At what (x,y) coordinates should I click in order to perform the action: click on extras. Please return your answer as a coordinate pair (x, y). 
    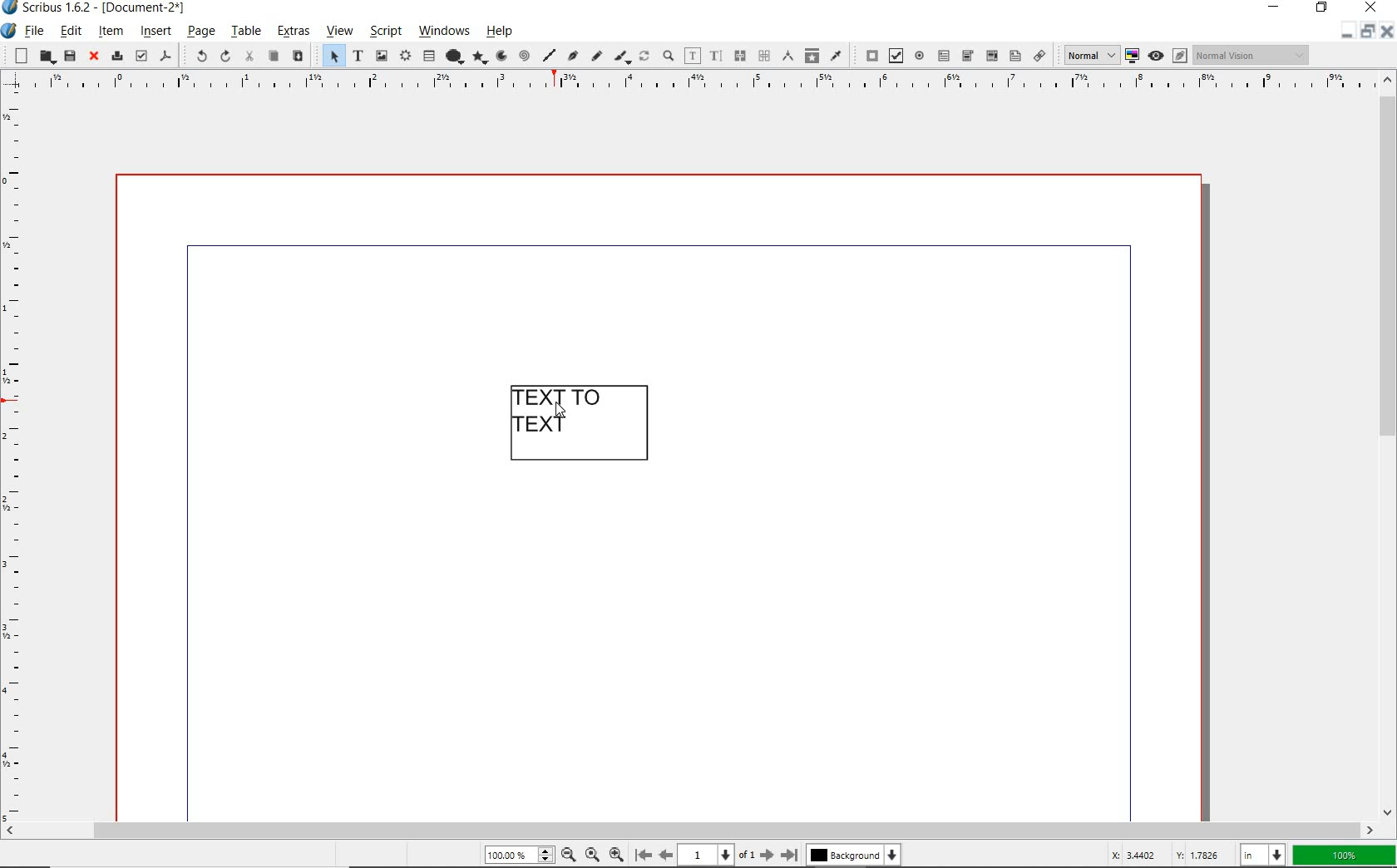
    Looking at the image, I should click on (294, 31).